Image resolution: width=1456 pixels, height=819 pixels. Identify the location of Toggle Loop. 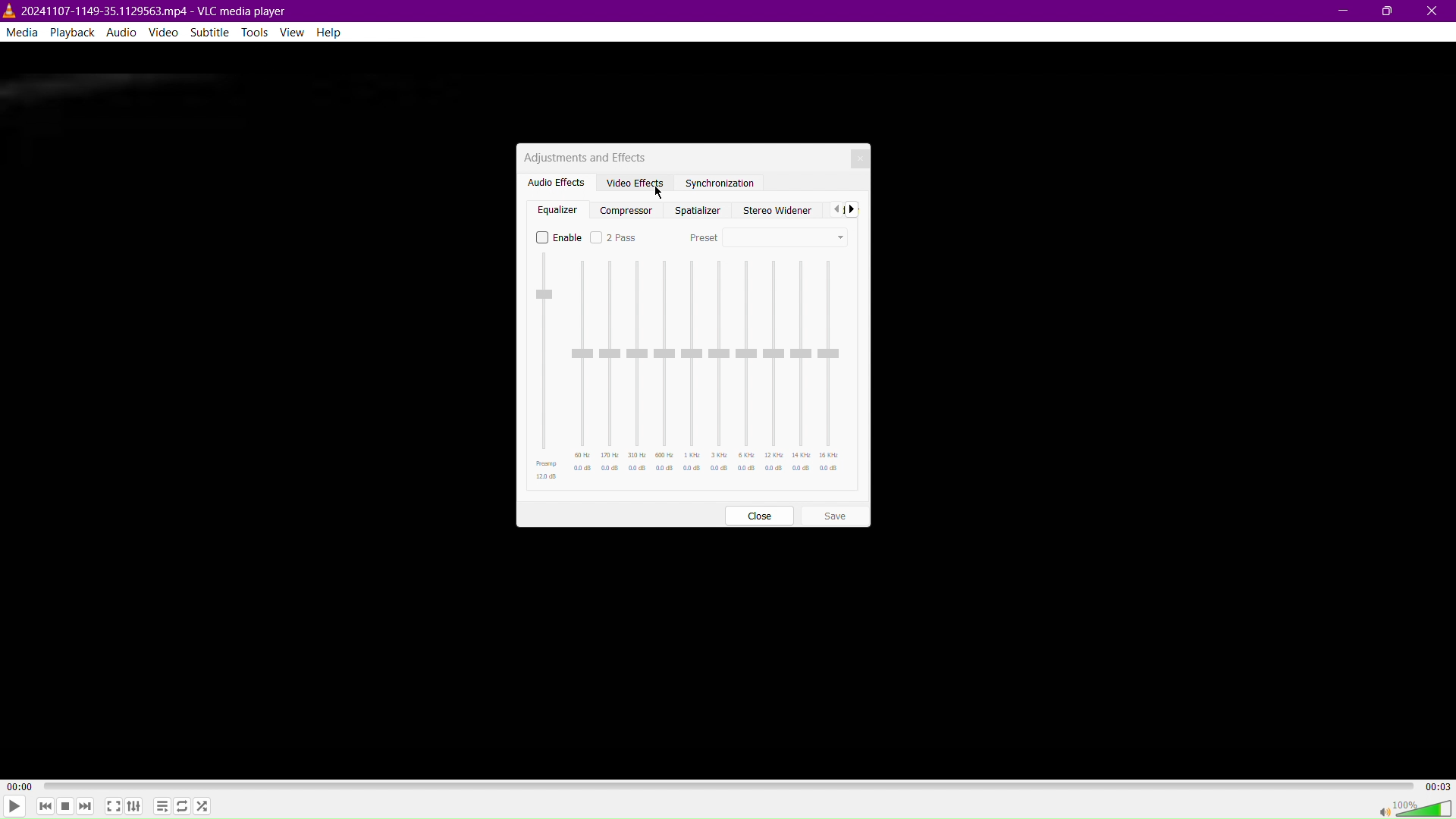
(182, 807).